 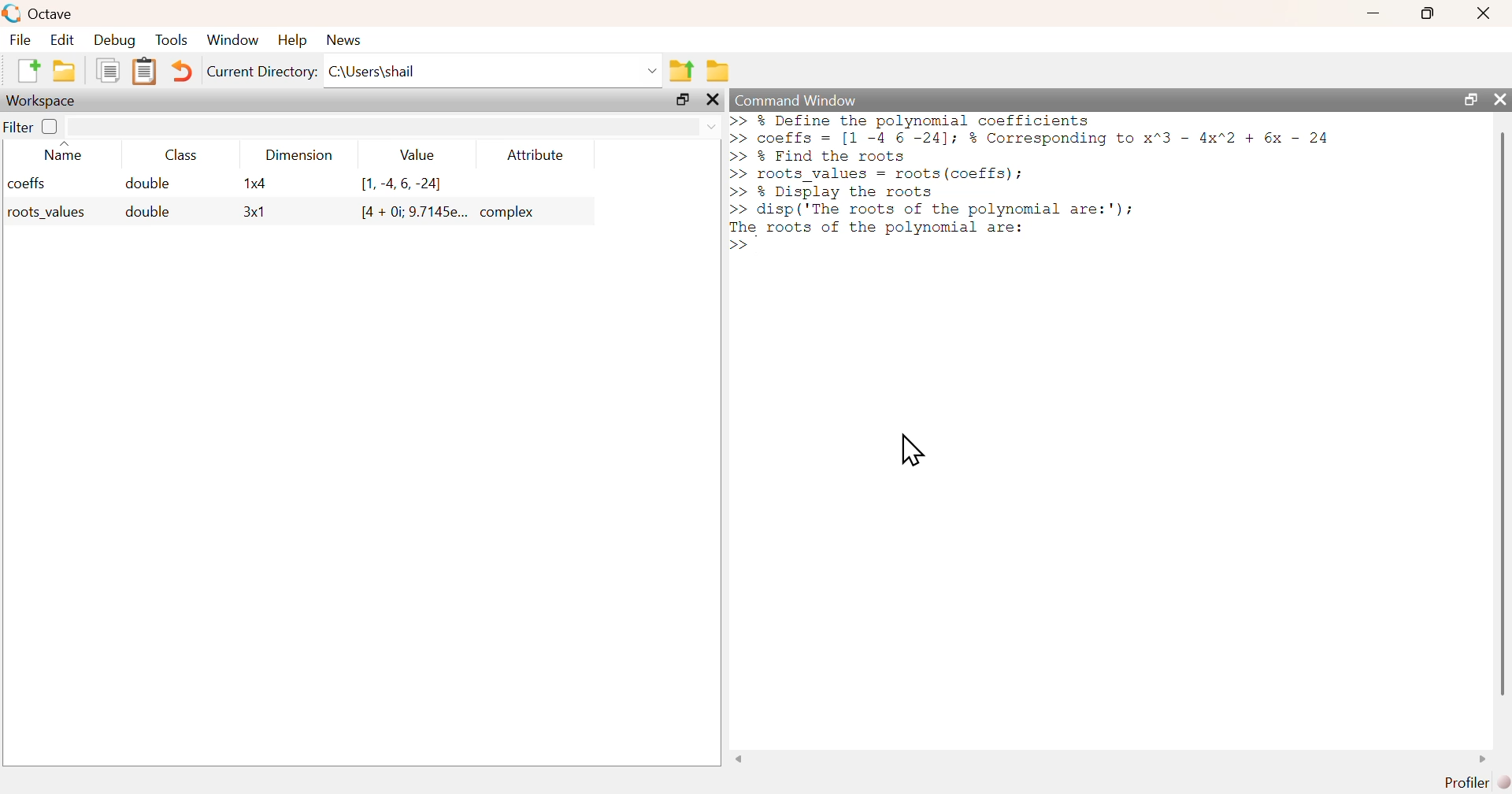 I want to click on minimize, so click(x=1374, y=13).